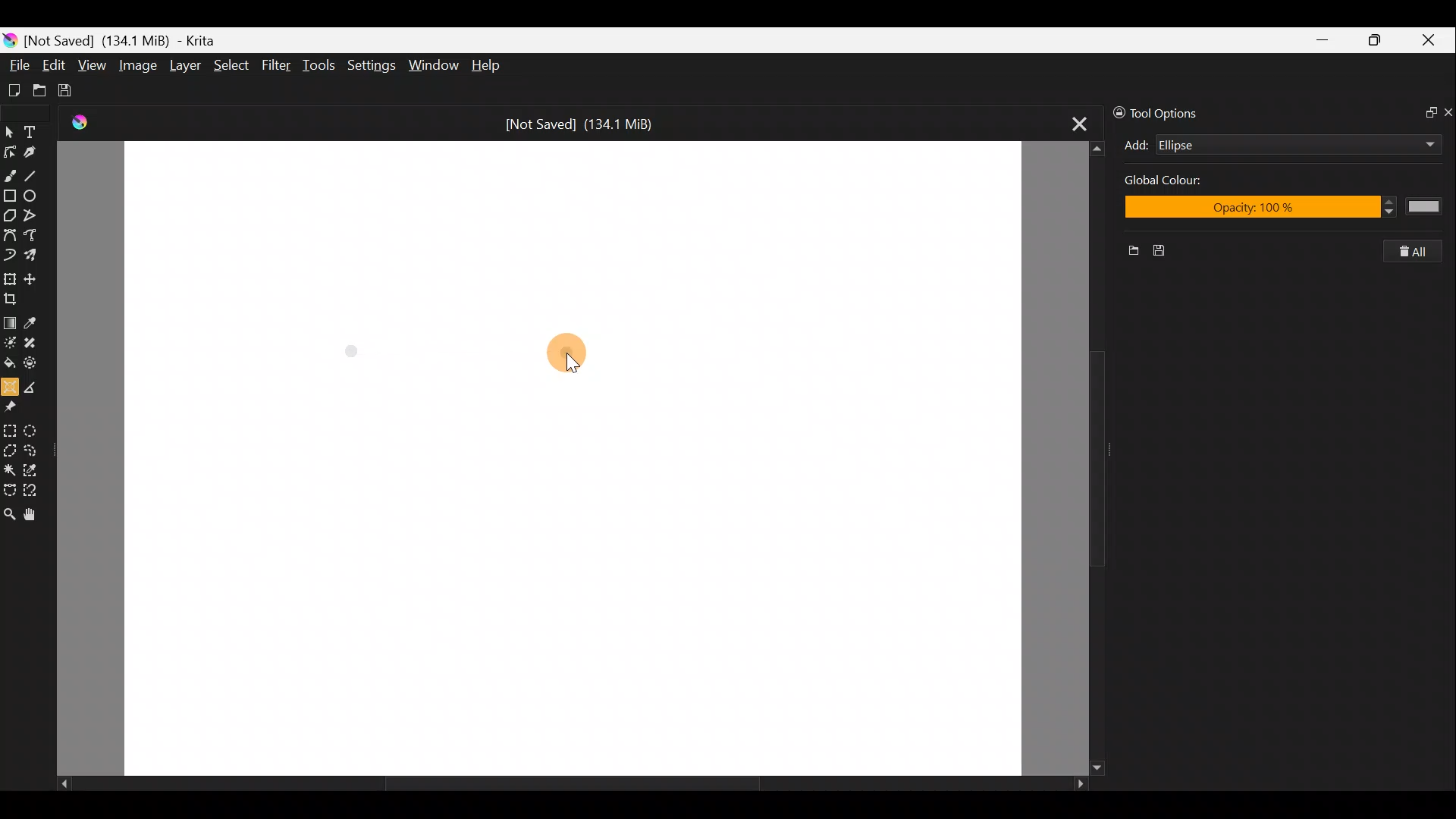 The image size is (1456, 819). Describe the element at coordinates (9, 513) in the screenshot. I see `Zoom tool` at that location.